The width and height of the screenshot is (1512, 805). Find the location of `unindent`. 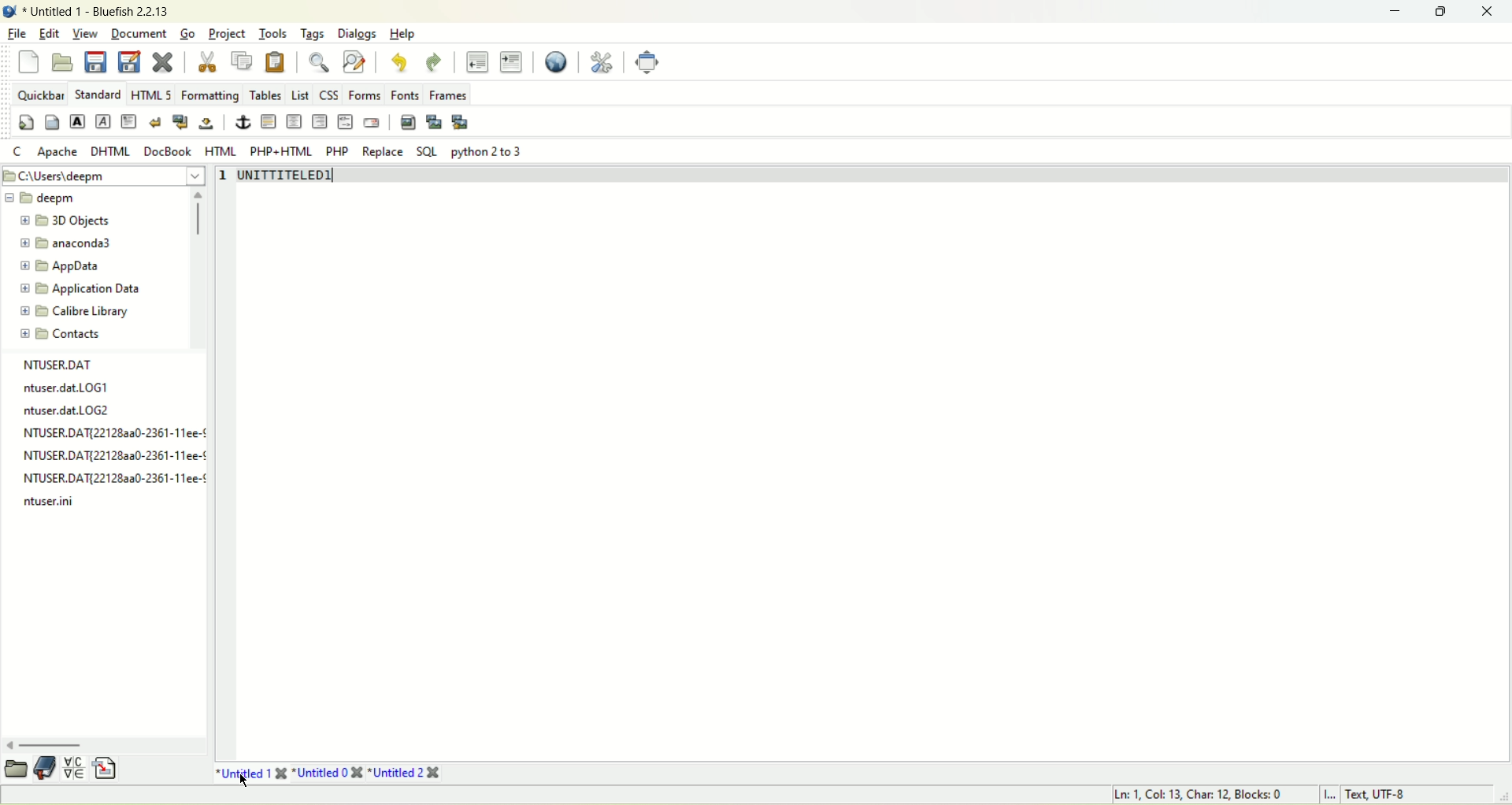

unindent is located at coordinates (476, 62).